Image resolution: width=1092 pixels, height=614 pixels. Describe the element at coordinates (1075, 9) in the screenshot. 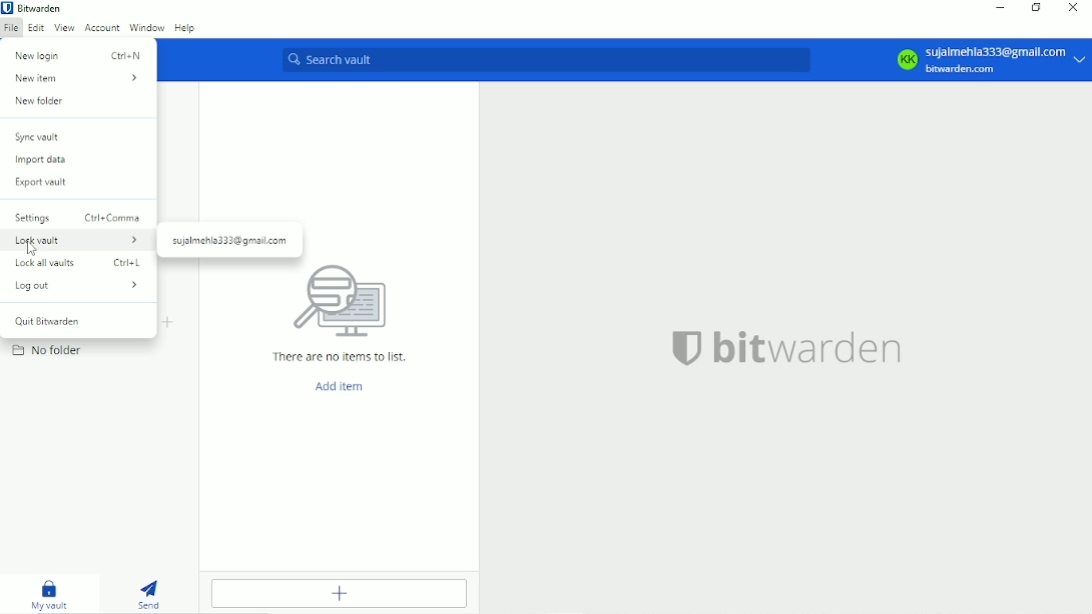

I see `Close` at that location.